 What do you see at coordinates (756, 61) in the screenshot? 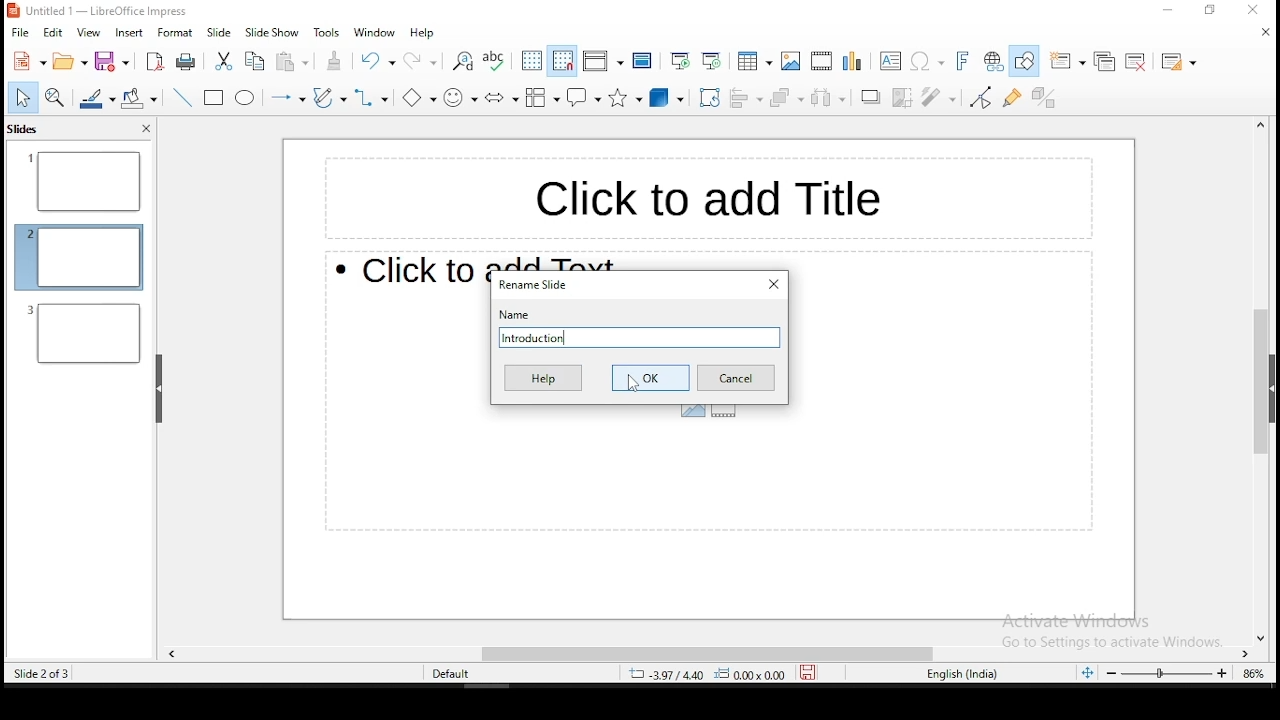
I see `tables` at bounding box center [756, 61].